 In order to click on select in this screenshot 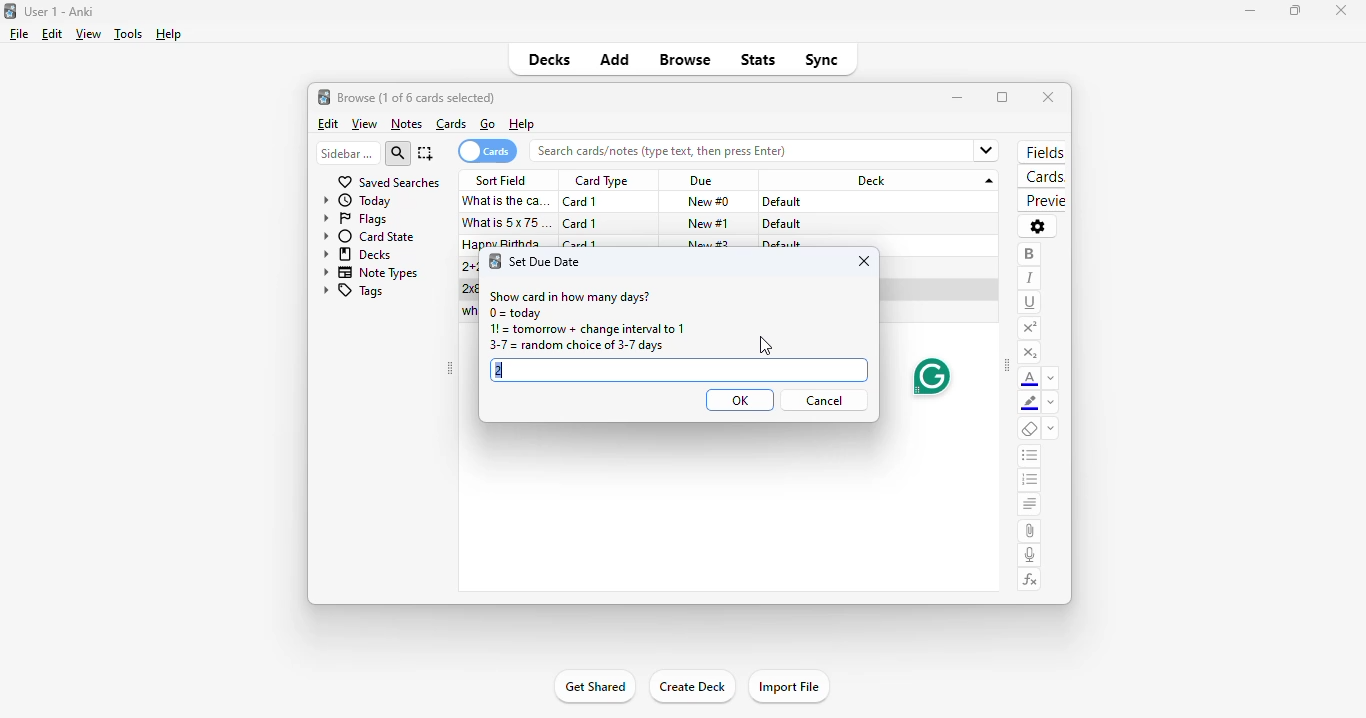, I will do `click(426, 153)`.